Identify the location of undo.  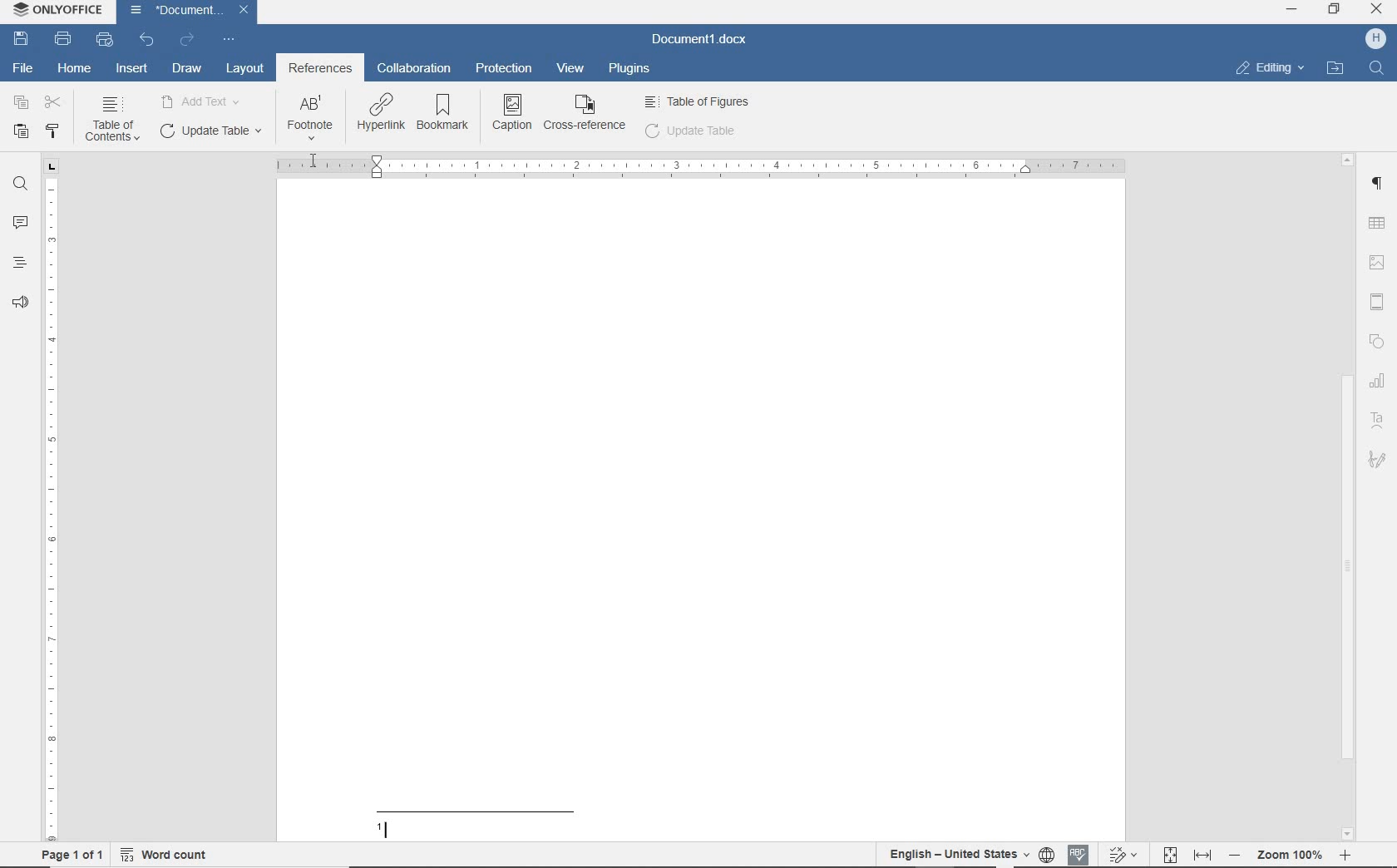
(146, 40).